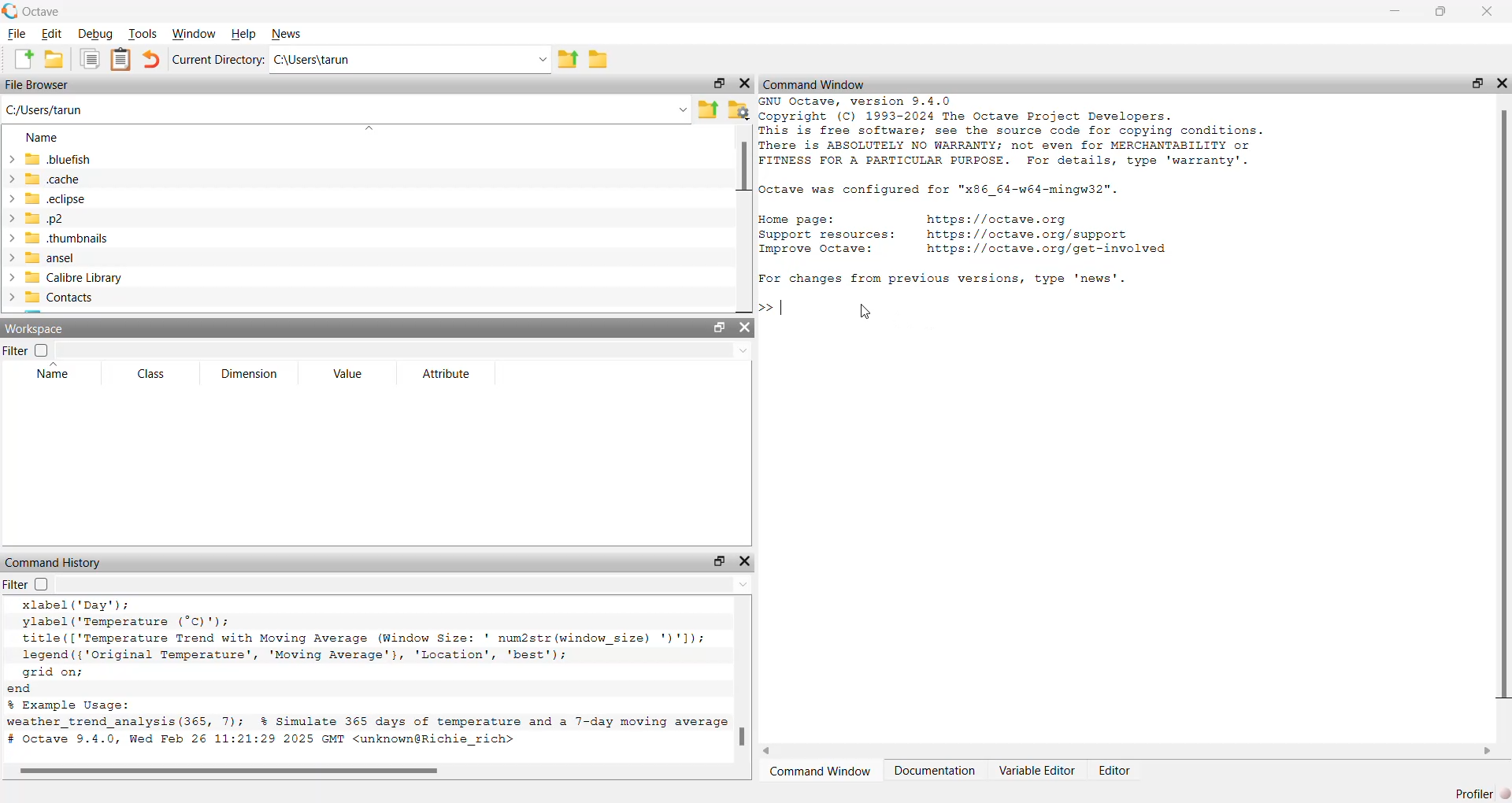 The image size is (1512, 803). I want to click on News, so click(291, 34).